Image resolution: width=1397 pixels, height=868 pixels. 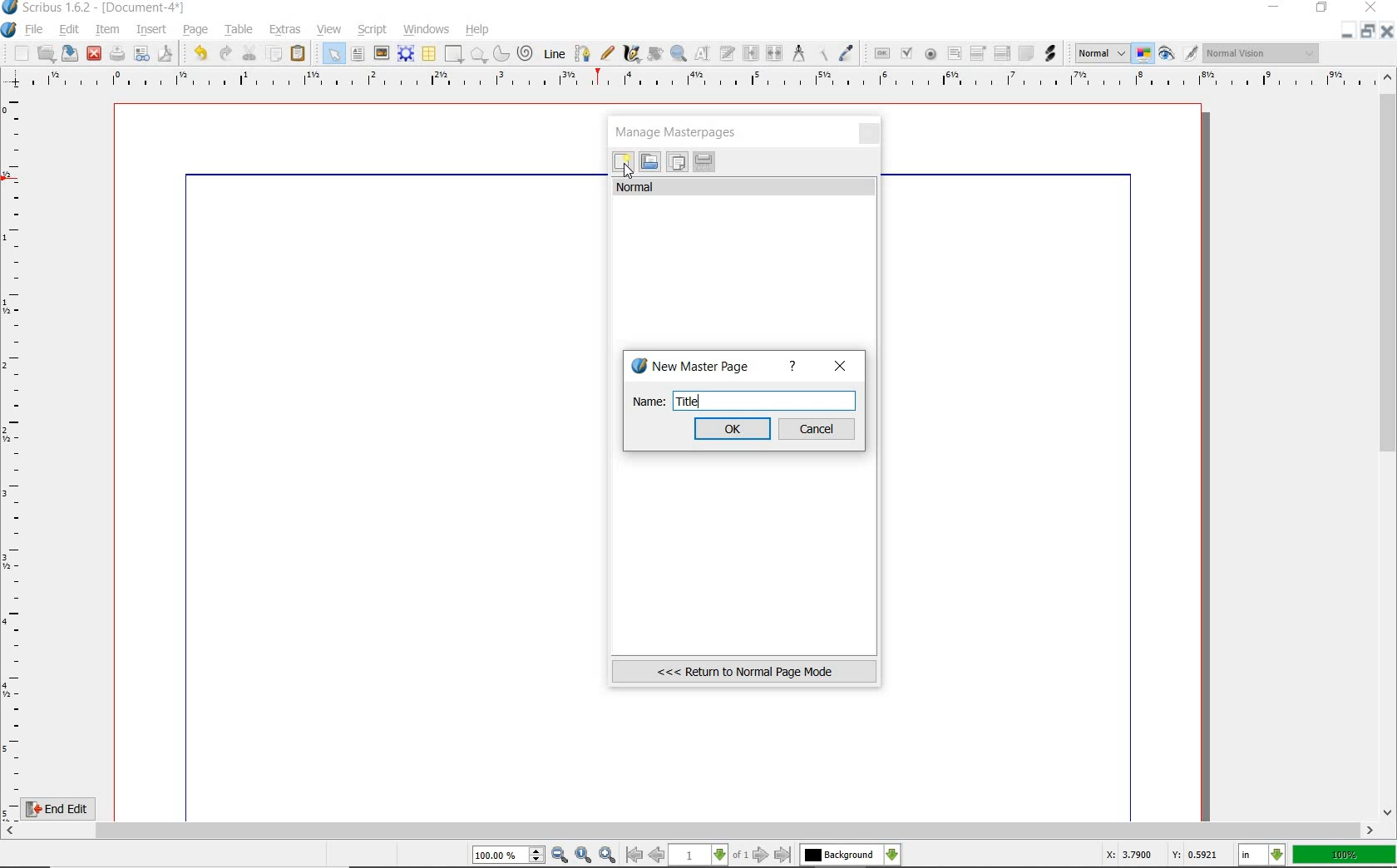 I want to click on insert, so click(x=151, y=29).